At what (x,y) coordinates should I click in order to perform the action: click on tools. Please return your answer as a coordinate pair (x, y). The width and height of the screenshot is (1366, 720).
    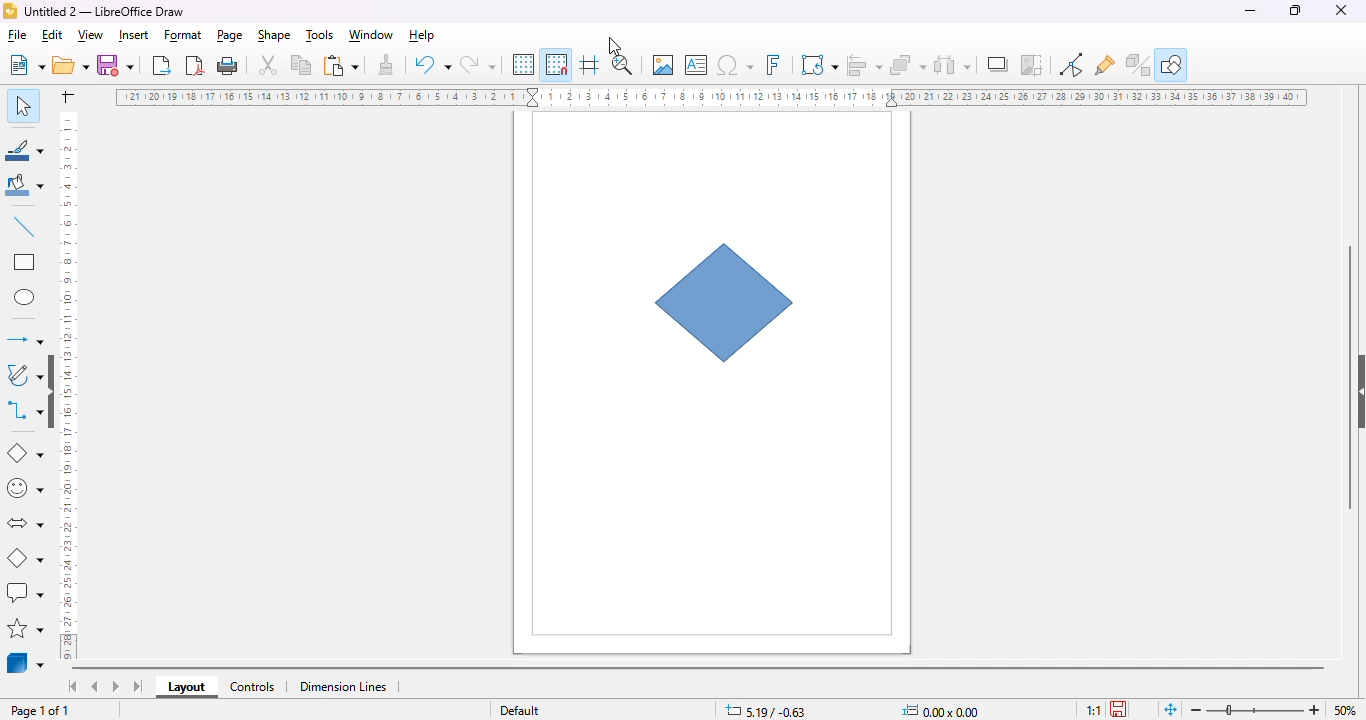
    Looking at the image, I should click on (318, 36).